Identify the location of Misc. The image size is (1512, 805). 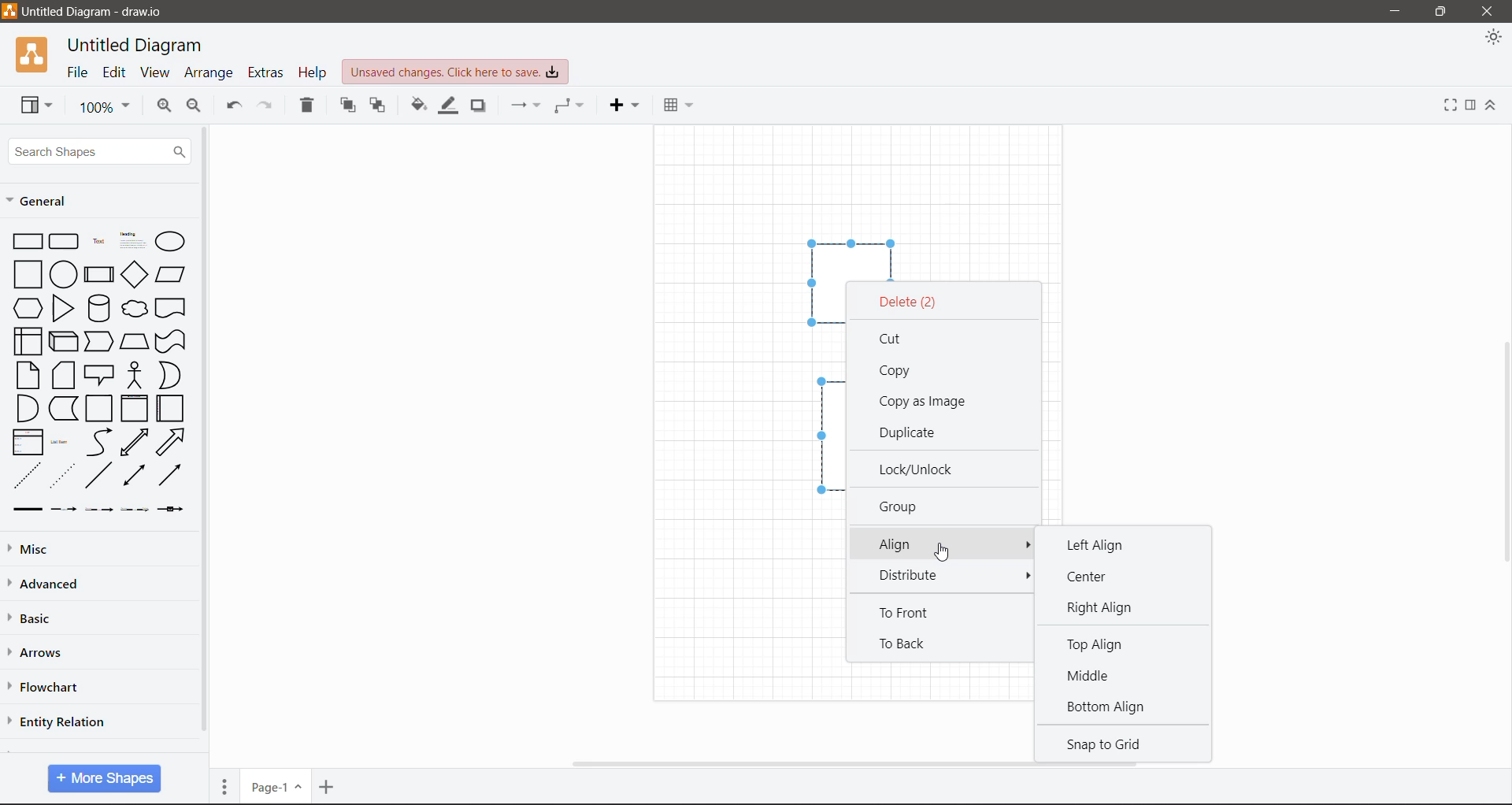
(34, 551).